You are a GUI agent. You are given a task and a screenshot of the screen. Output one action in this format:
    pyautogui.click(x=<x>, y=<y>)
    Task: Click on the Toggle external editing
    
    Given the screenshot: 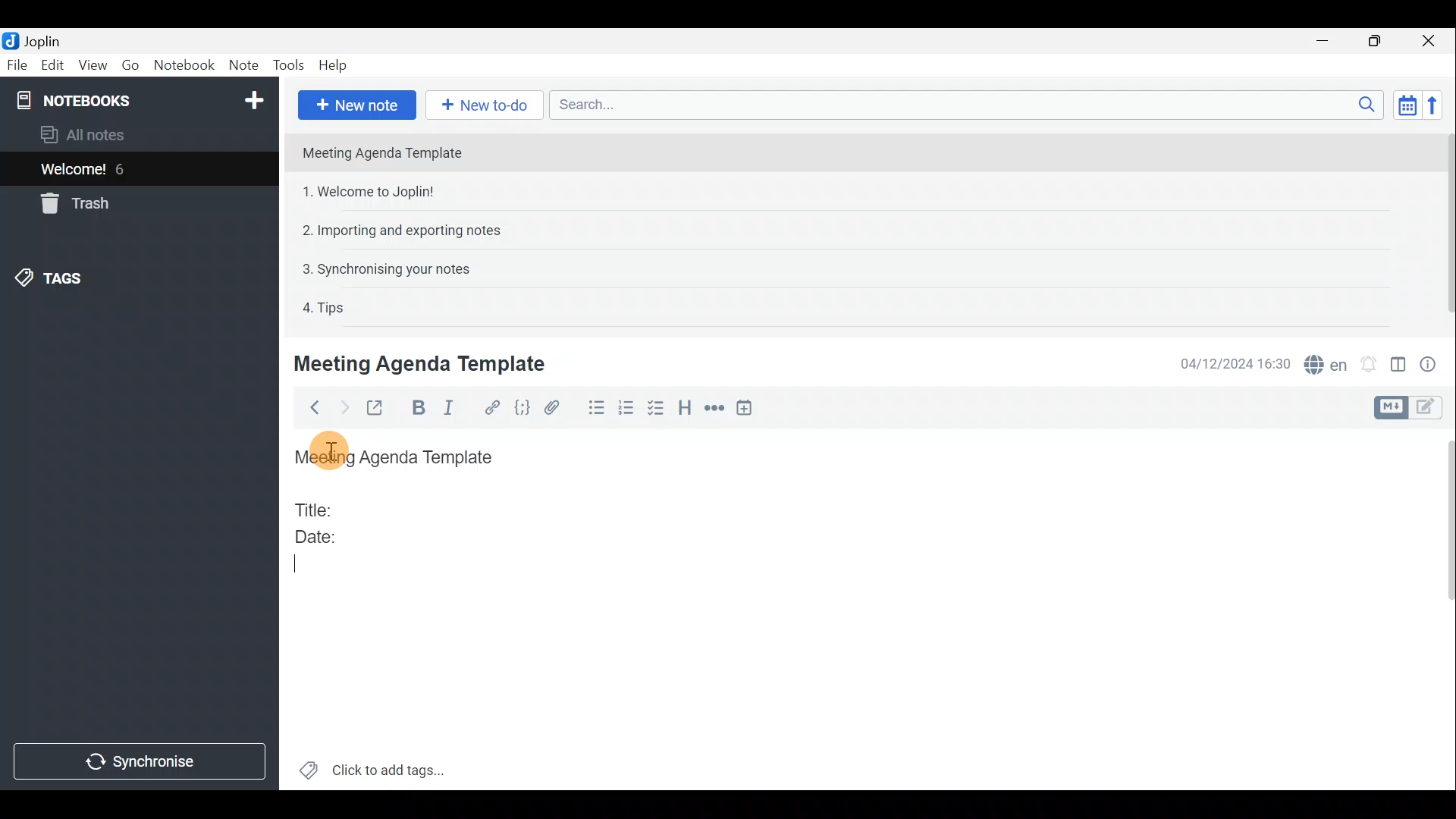 What is the action you would take?
    pyautogui.click(x=379, y=409)
    